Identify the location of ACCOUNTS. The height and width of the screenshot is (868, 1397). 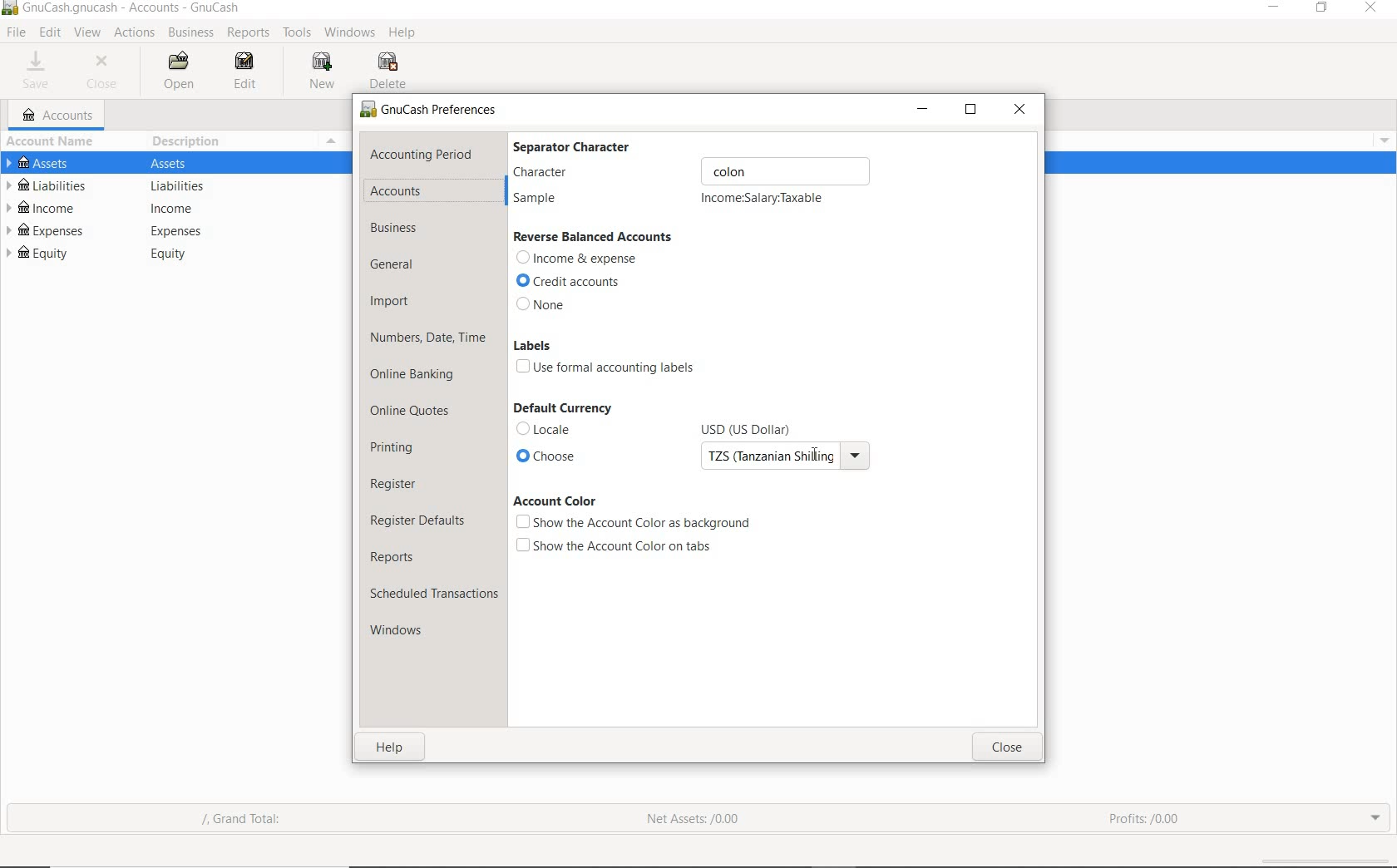
(59, 116).